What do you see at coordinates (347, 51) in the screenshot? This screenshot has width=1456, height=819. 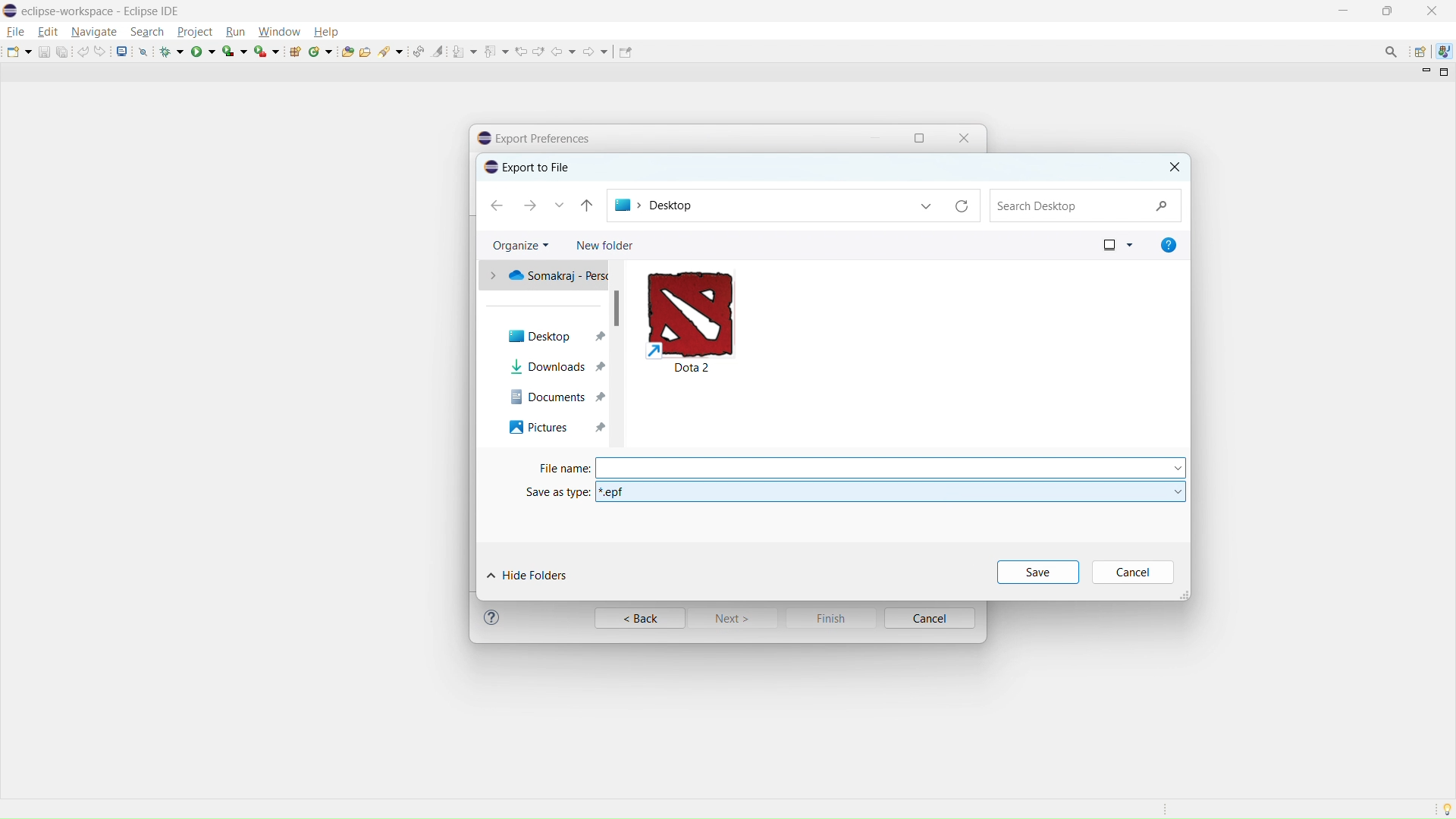 I see `open type` at bounding box center [347, 51].